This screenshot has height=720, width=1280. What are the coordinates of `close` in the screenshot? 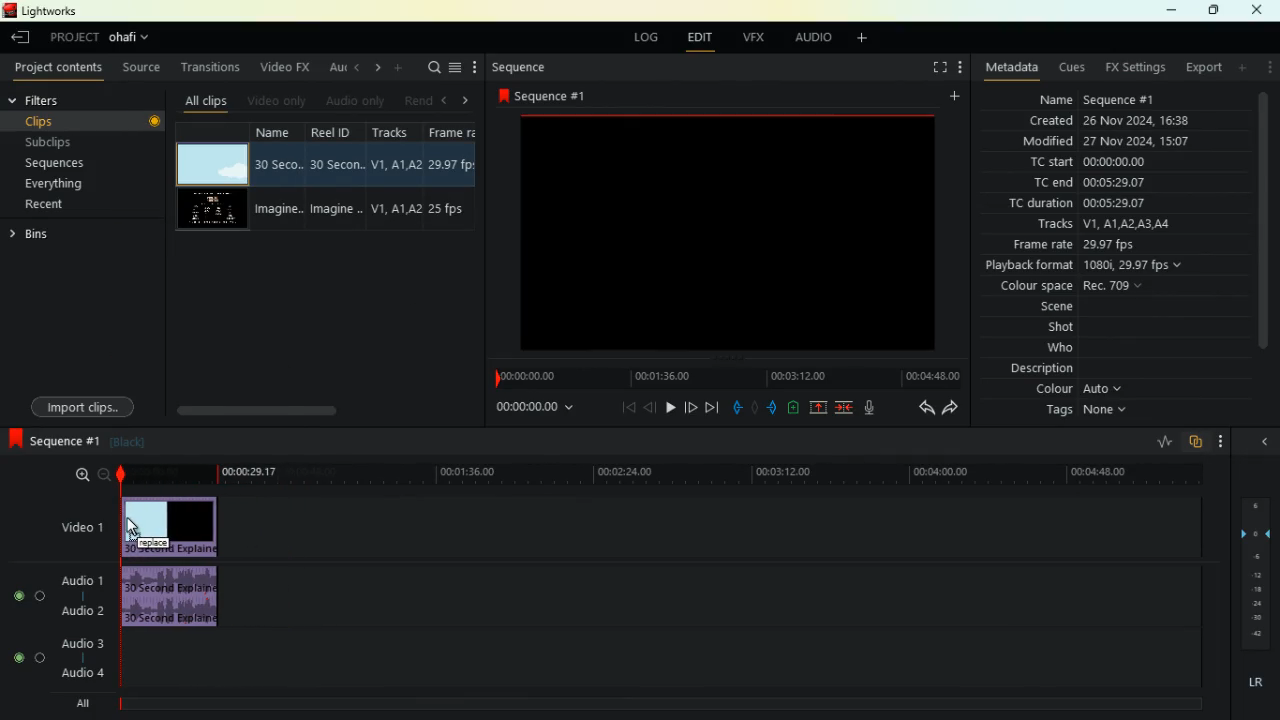 It's located at (1257, 10).